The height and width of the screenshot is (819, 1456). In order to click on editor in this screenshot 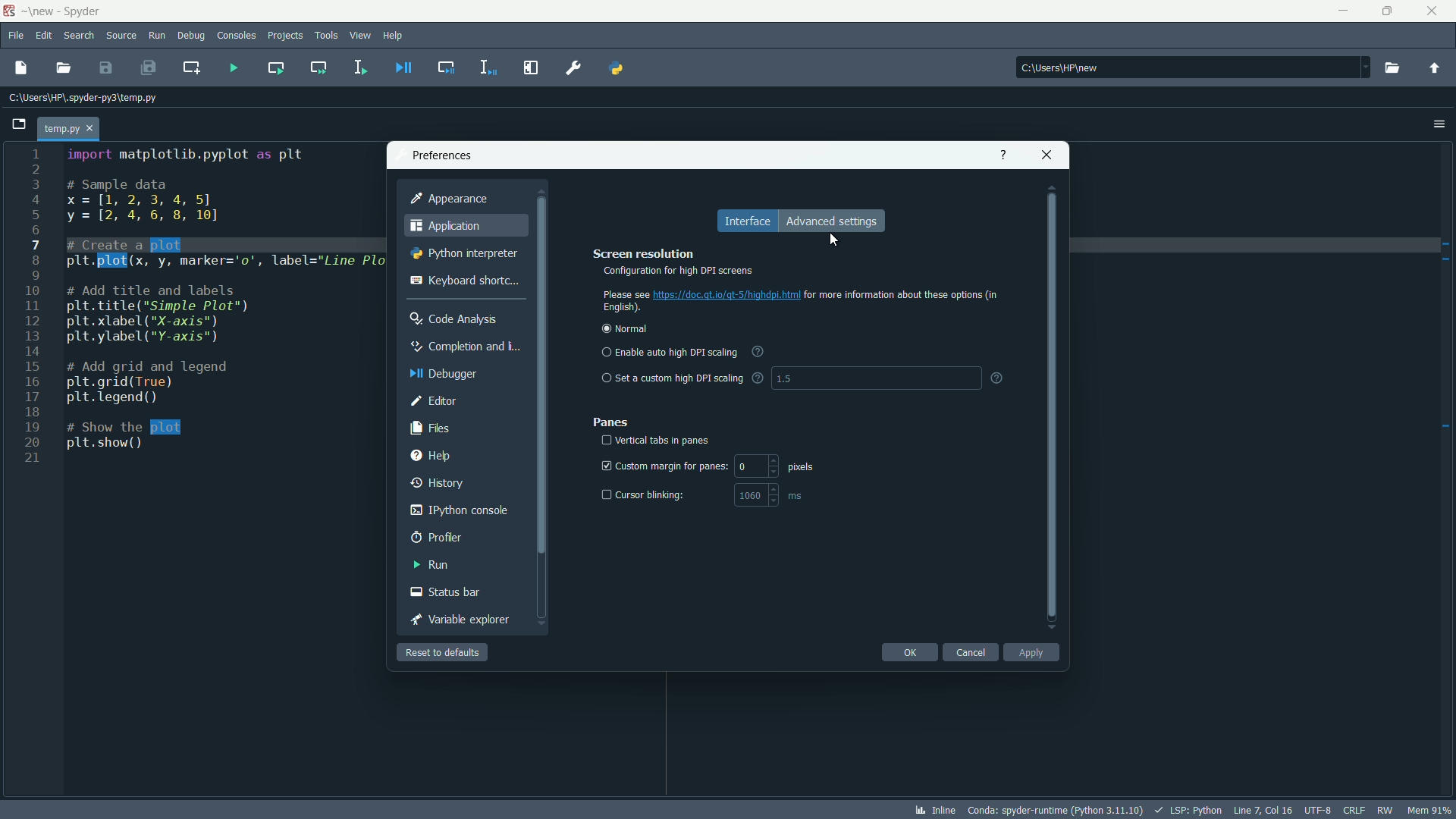, I will do `click(432, 400)`.